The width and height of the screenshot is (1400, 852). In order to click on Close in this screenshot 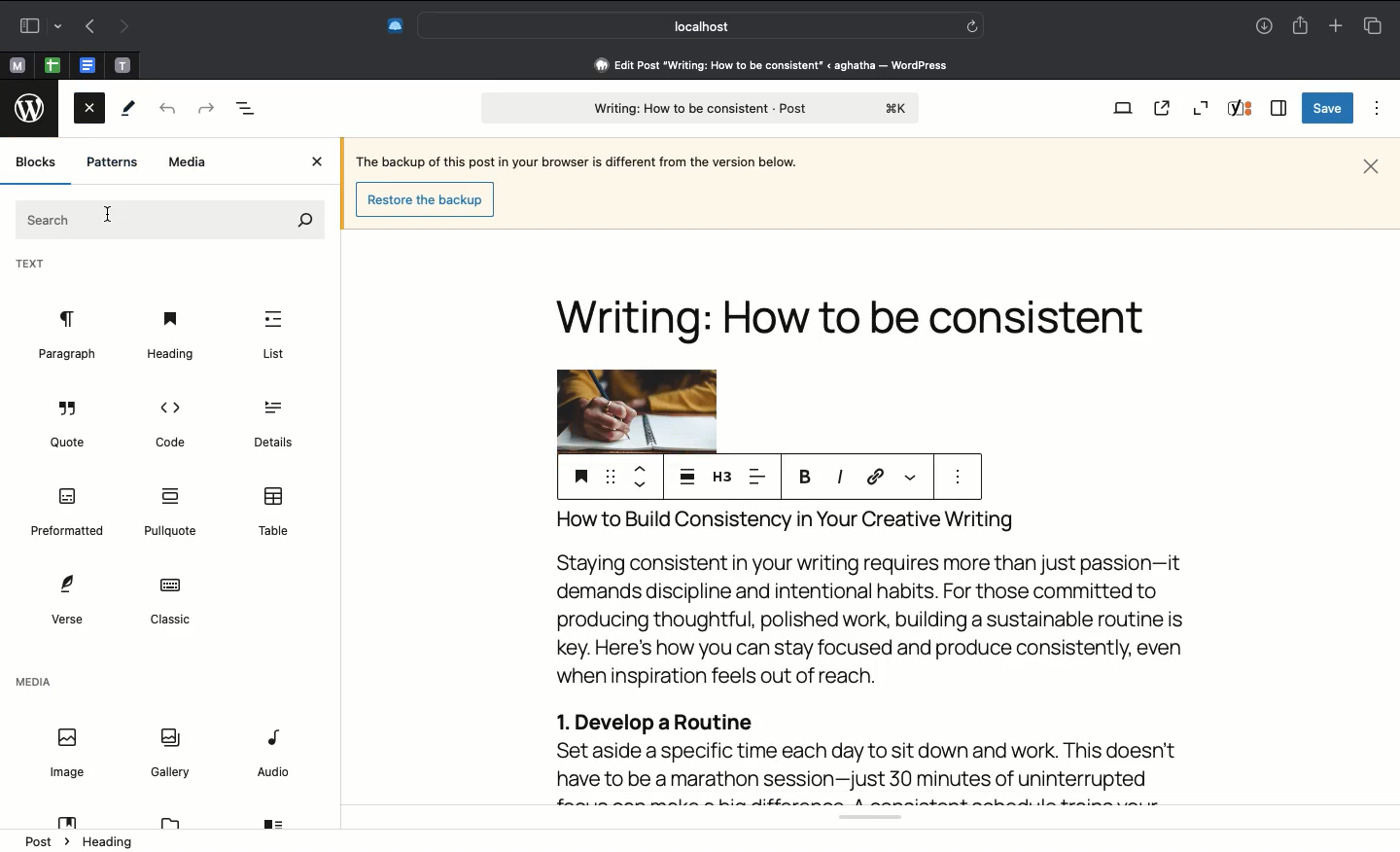, I will do `click(320, 162)`.